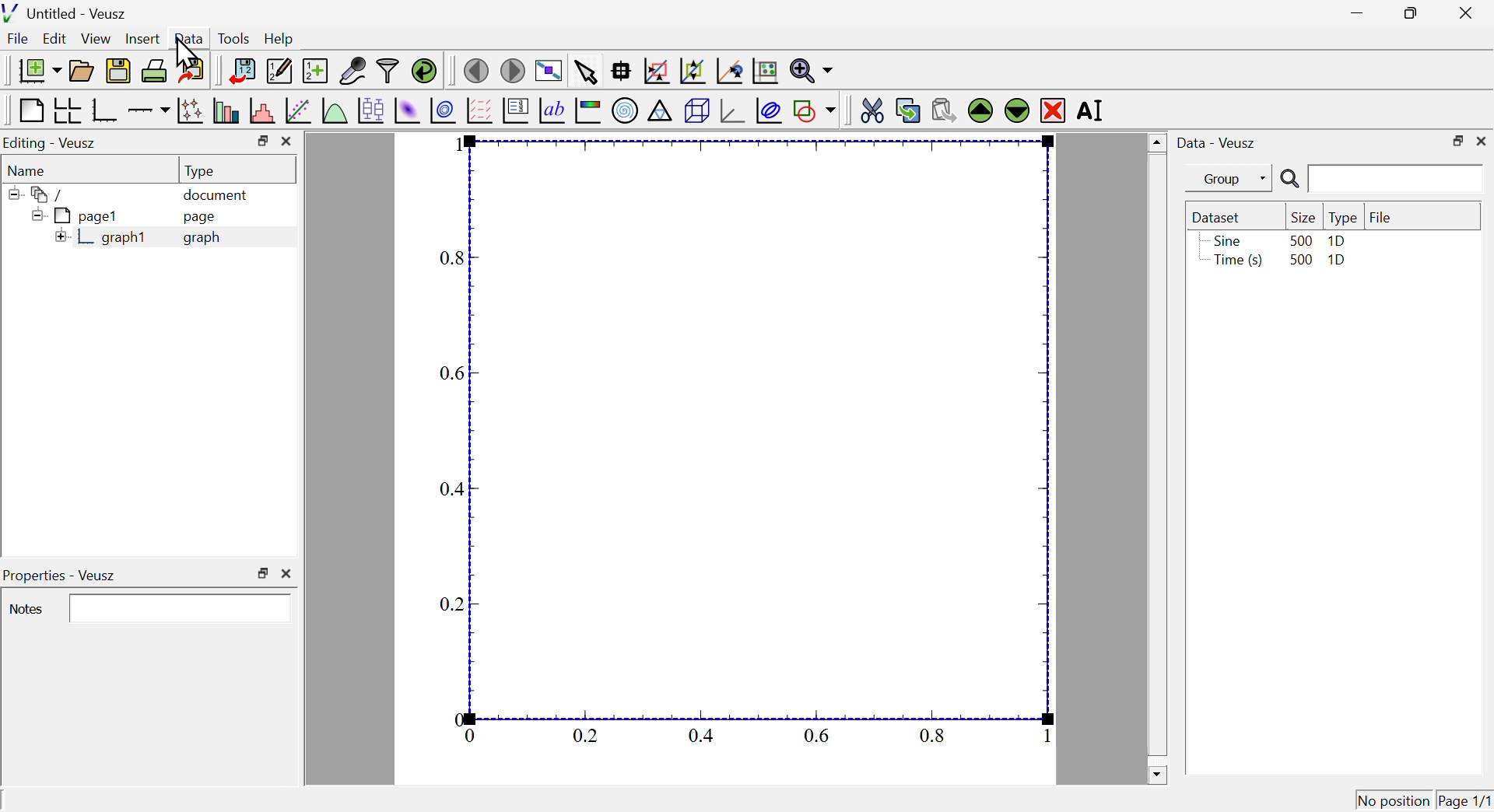 The image size is (1494, 812). What do you see at coordinates (202, 238) in the screenshot?
I see `graph` at bounding box center [202, 238].